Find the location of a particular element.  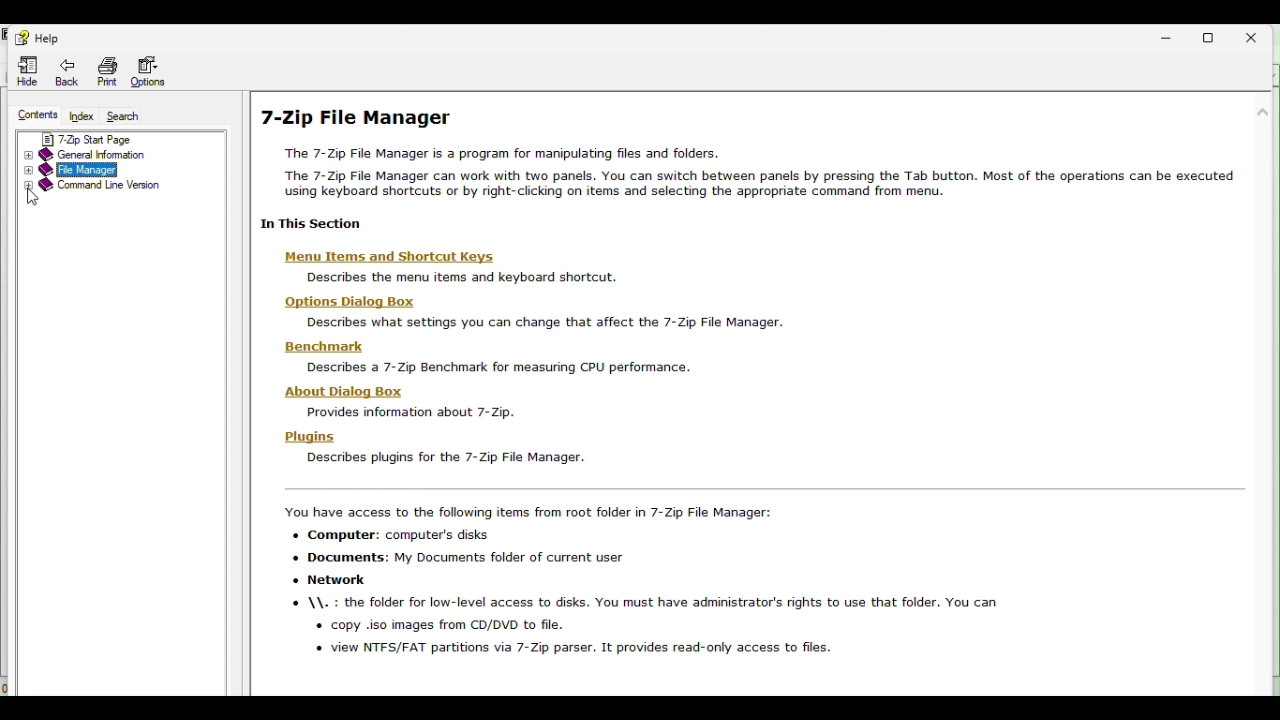

Plugins is located at coordinates (301, 436).